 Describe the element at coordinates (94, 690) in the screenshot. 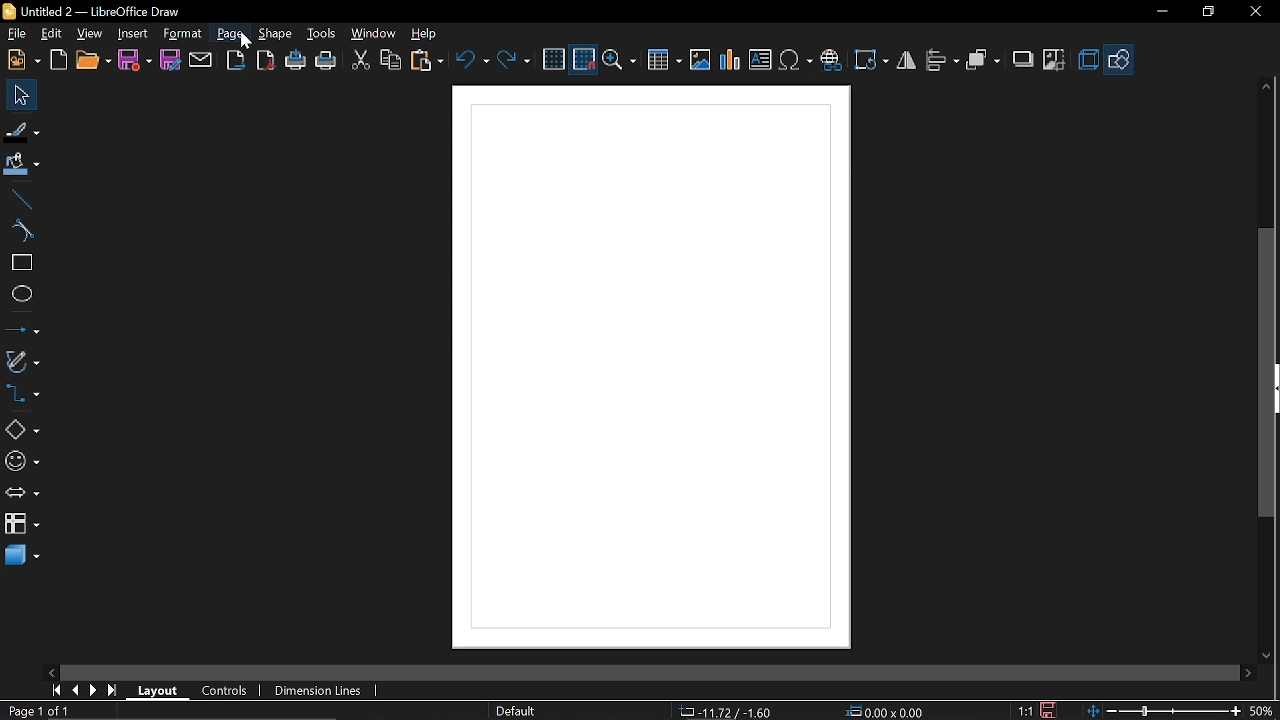

I see `Next page` at that location.